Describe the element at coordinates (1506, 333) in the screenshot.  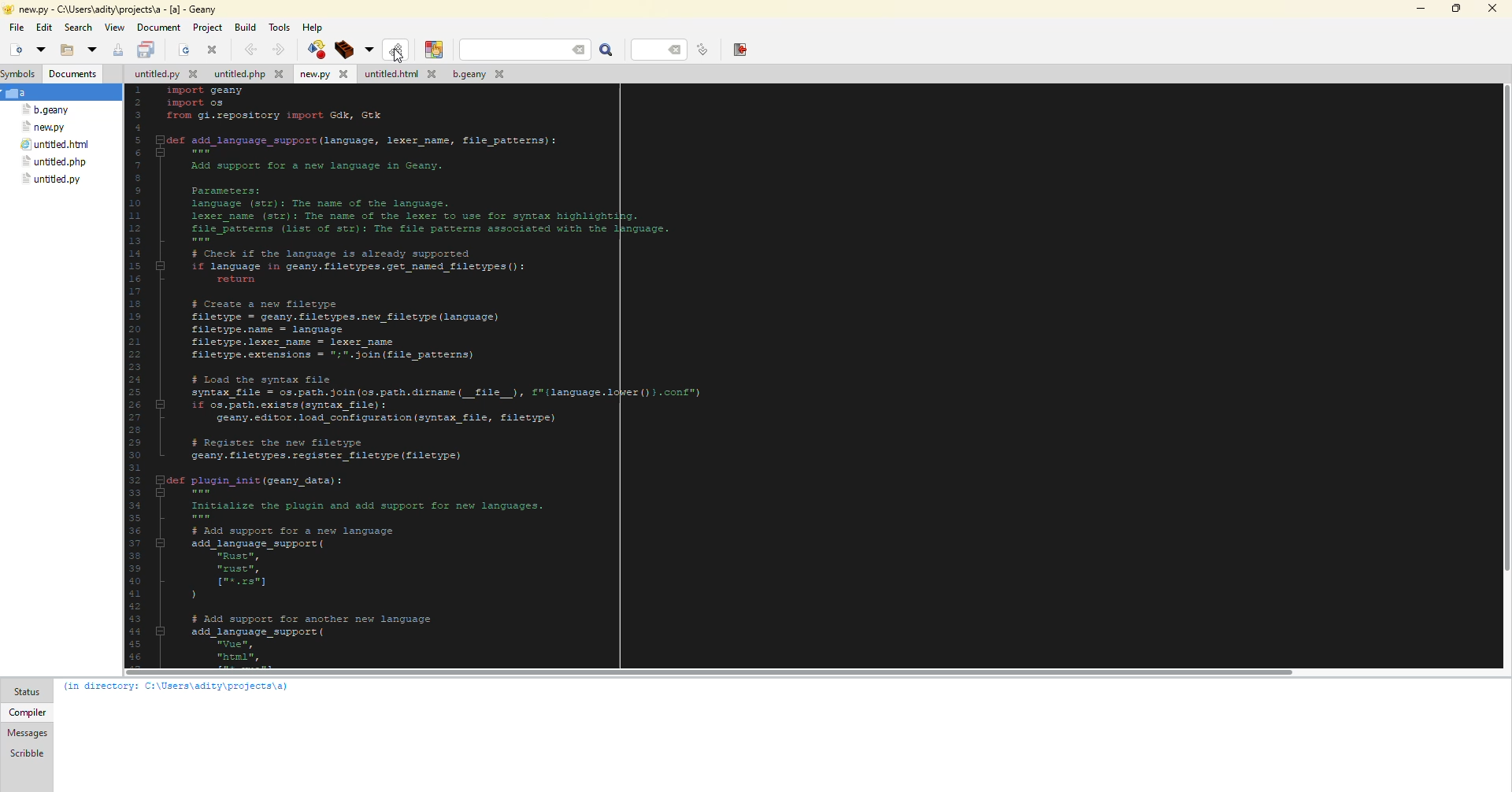
I see `scroll bar` at that location.